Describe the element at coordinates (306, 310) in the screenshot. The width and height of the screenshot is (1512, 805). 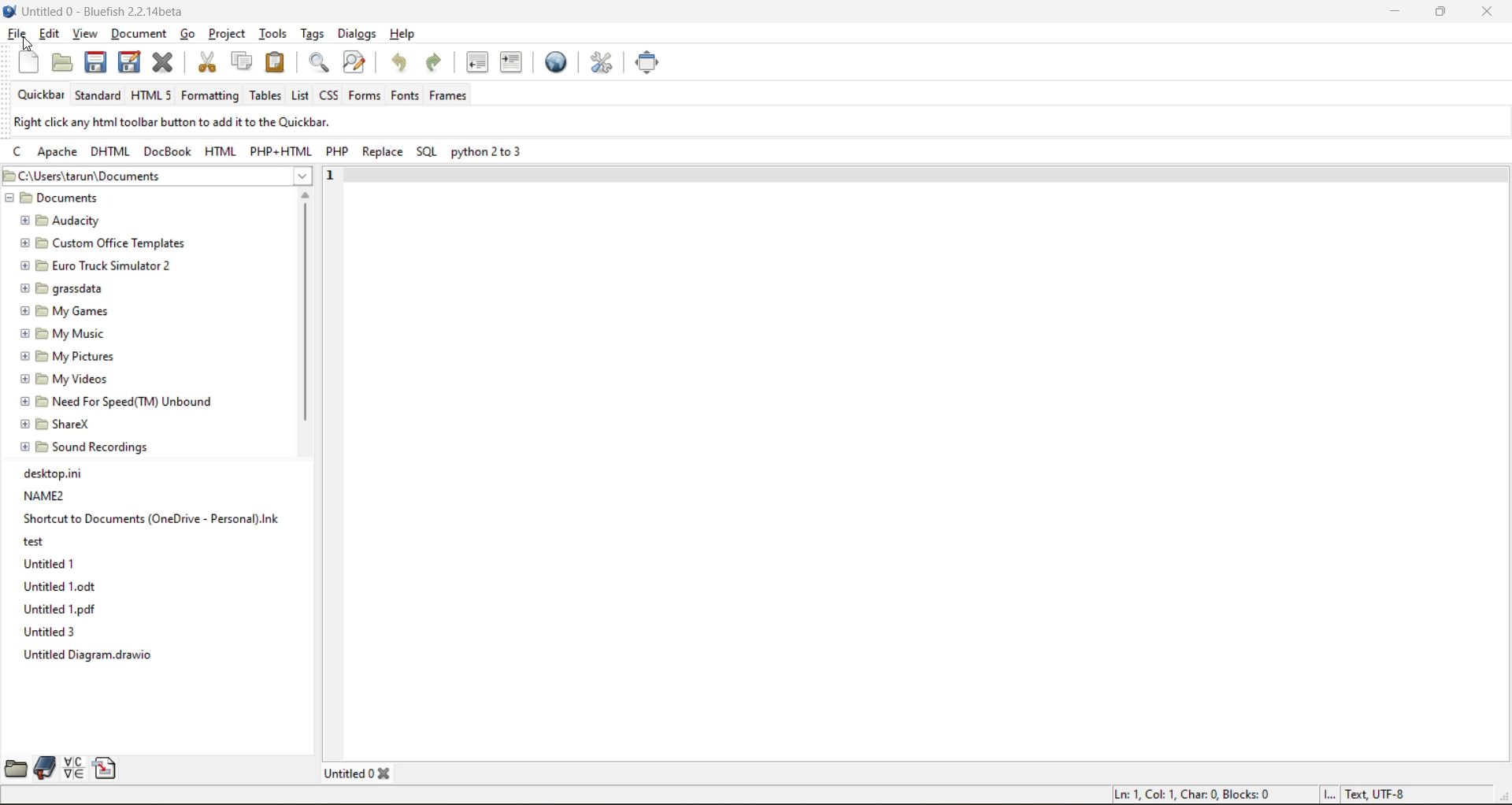
I see `vertical scroll bar` at that location.